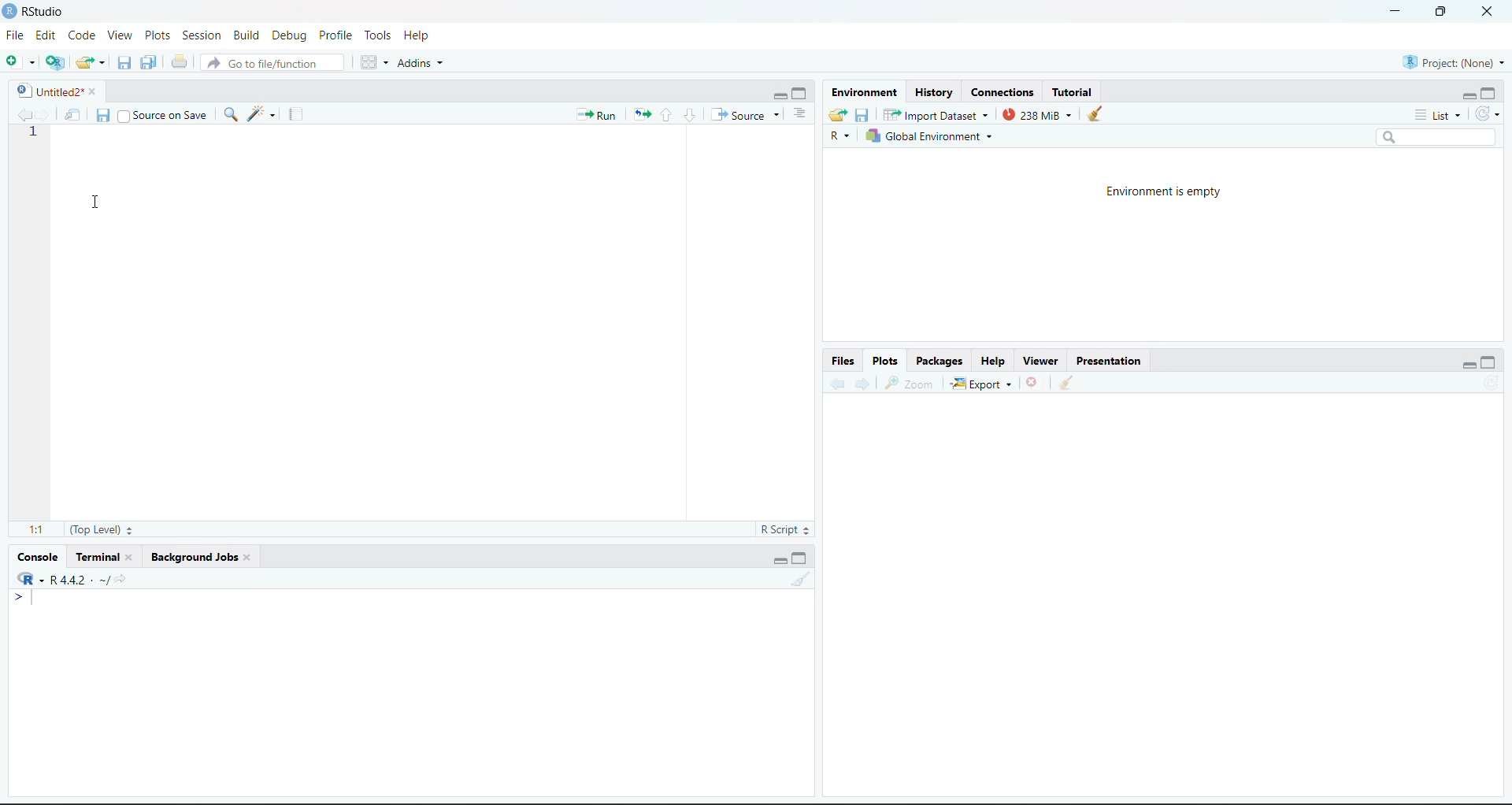 This screenshot has width=1512, height=805. What do you see at coordinates (839, 115) in the screenshot?
I see `open folder` at bounding box center [839, 115].